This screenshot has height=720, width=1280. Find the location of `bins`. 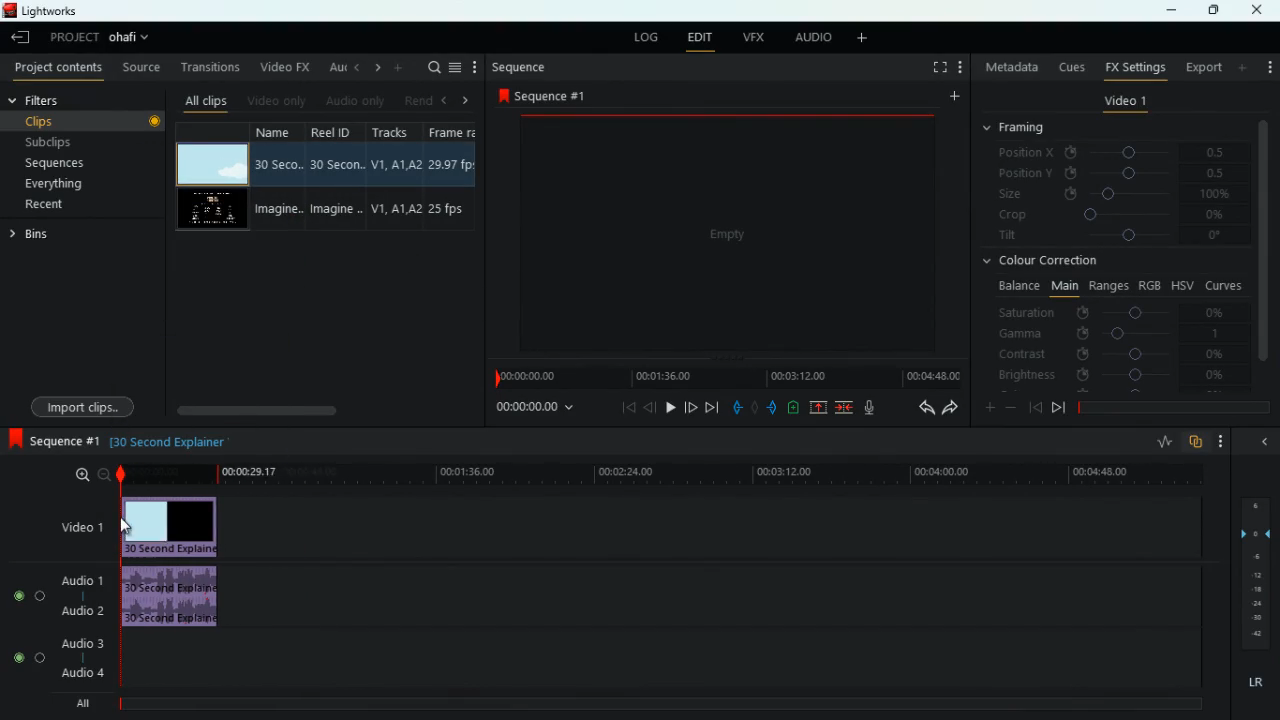

bins is located at coordinates (34, 235).